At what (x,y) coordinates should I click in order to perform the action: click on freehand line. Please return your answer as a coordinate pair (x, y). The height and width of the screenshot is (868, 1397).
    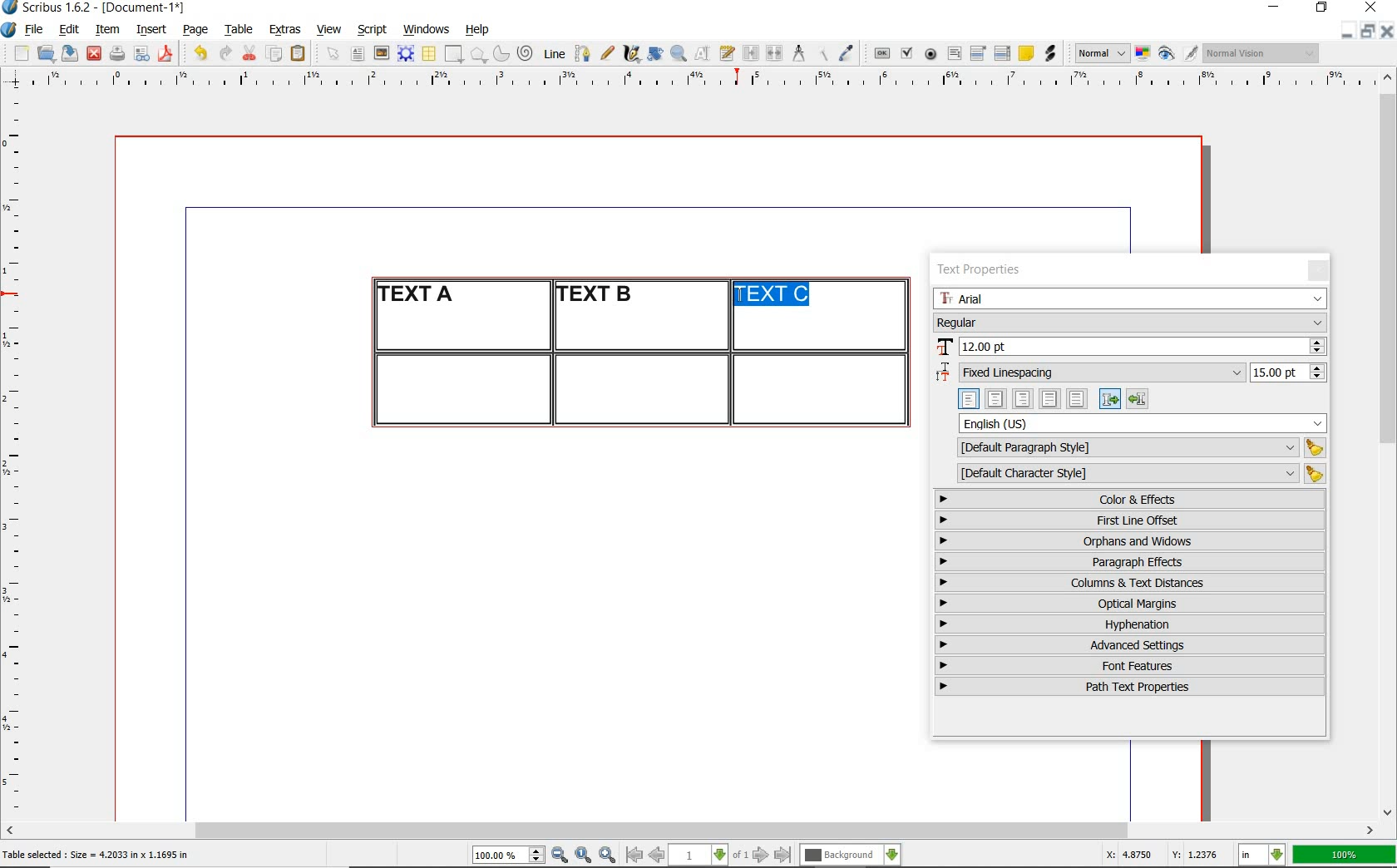
    Looking at the image, I should click on (607, 53).